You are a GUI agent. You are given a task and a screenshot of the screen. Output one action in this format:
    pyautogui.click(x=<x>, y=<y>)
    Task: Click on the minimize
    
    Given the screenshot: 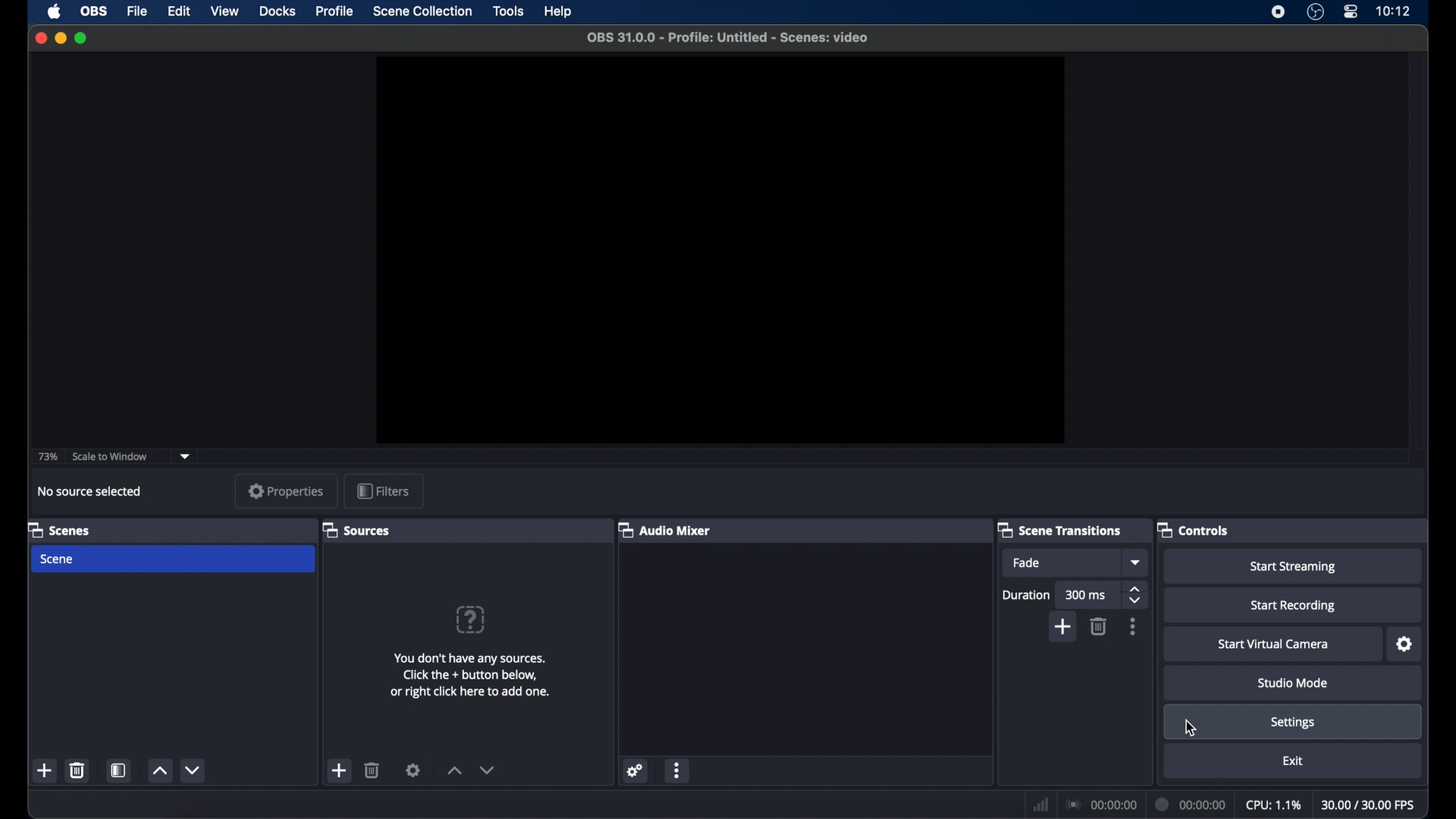 What is the action you would take?
    pyautogui.click(x=60, y=38)
    